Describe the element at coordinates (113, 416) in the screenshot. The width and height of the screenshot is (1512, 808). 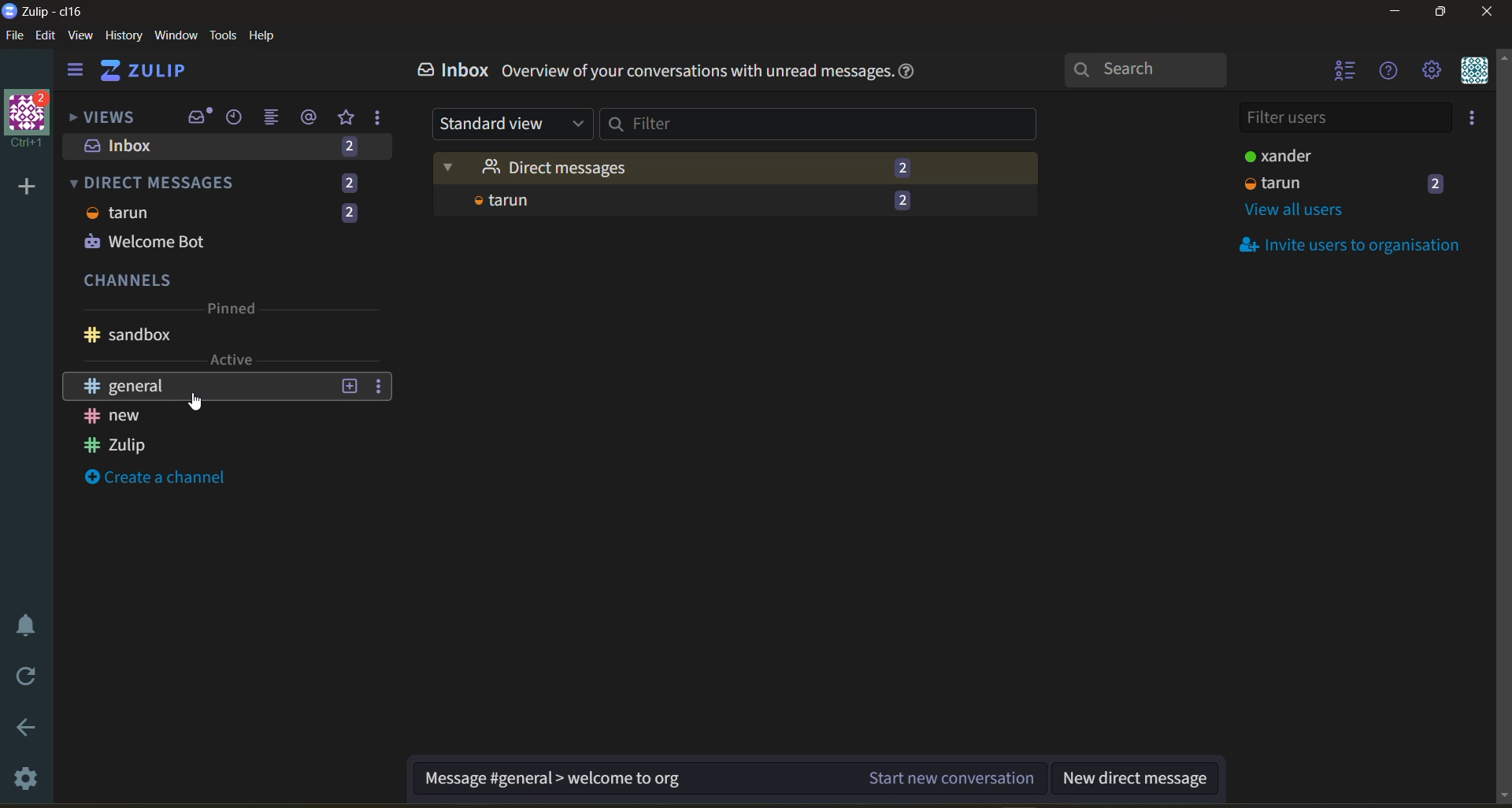
I see `` at that location.